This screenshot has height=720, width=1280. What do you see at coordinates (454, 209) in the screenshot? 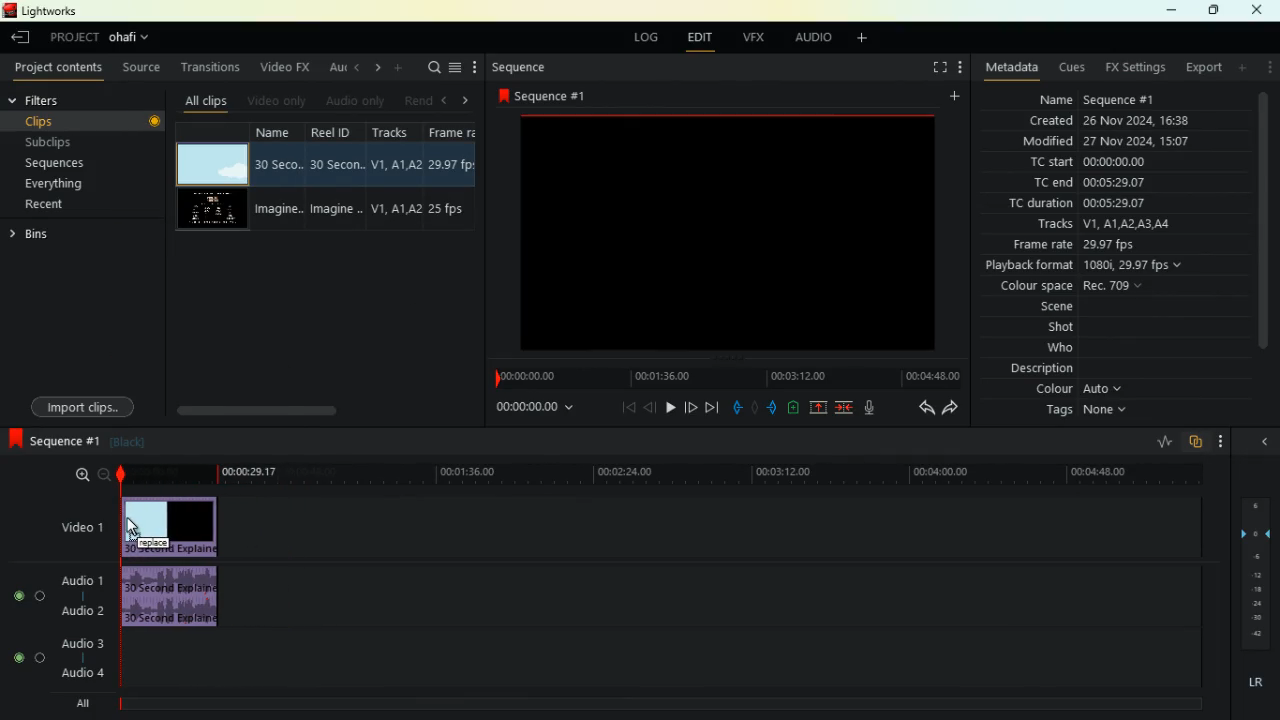
I see `25 fps` at bounding box center [454, 209].